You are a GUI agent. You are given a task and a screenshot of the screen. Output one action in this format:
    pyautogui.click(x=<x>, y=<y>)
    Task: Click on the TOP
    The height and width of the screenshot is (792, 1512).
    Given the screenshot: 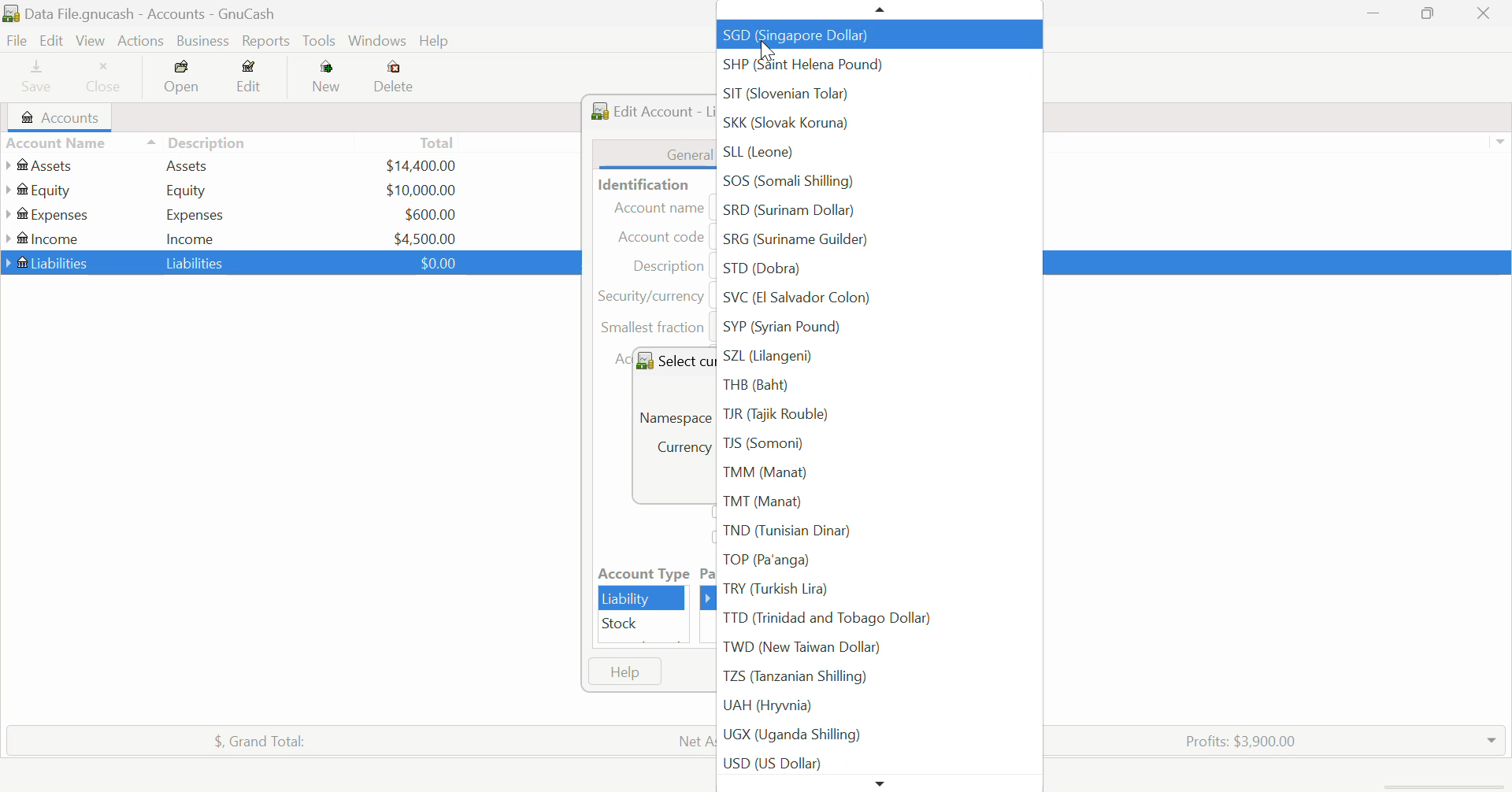 What is the action you would take?
    pyautogui.click(x=876, y=560)
    